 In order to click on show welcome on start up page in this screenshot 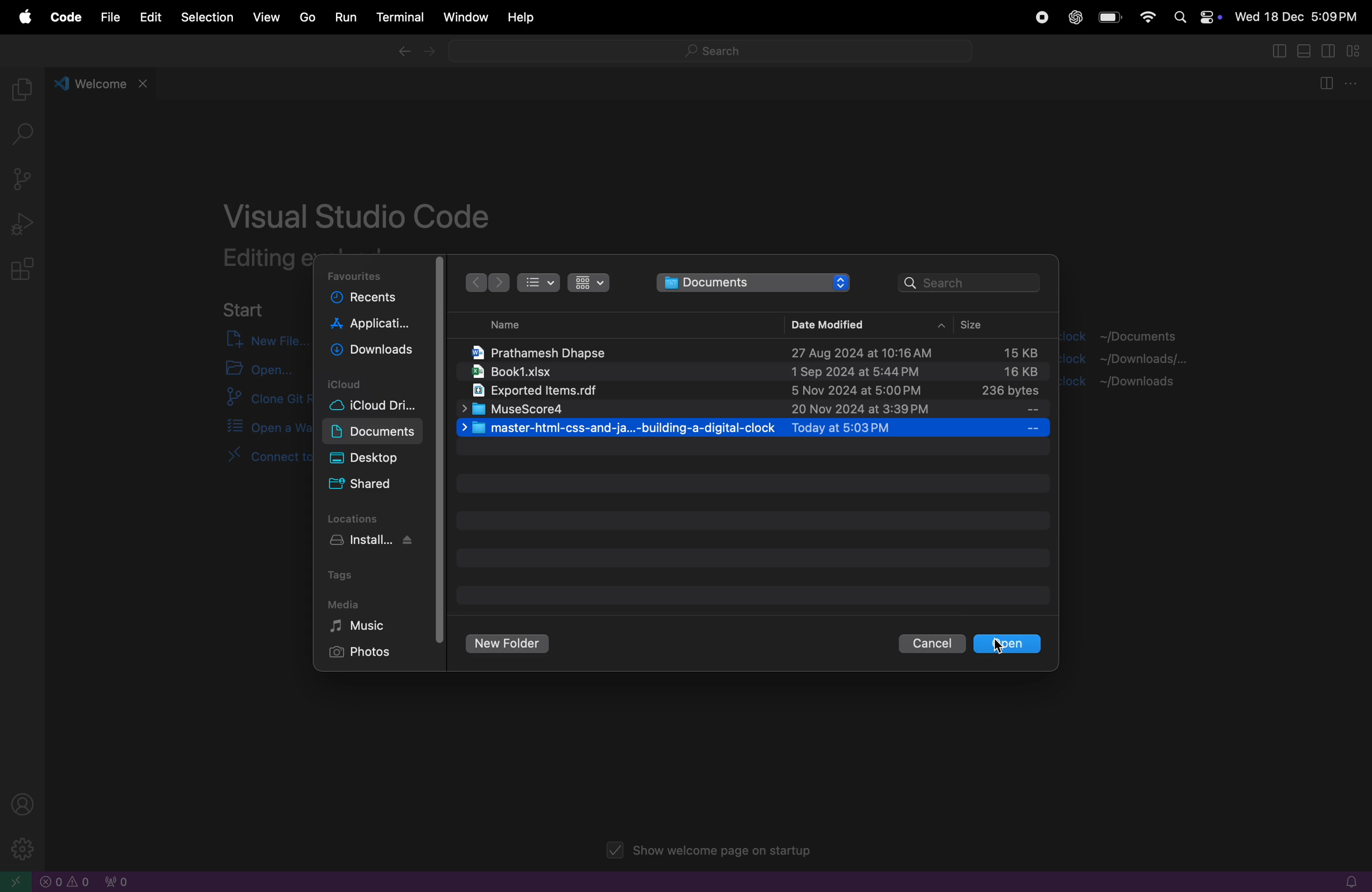, I will do `click(712, 852)`.